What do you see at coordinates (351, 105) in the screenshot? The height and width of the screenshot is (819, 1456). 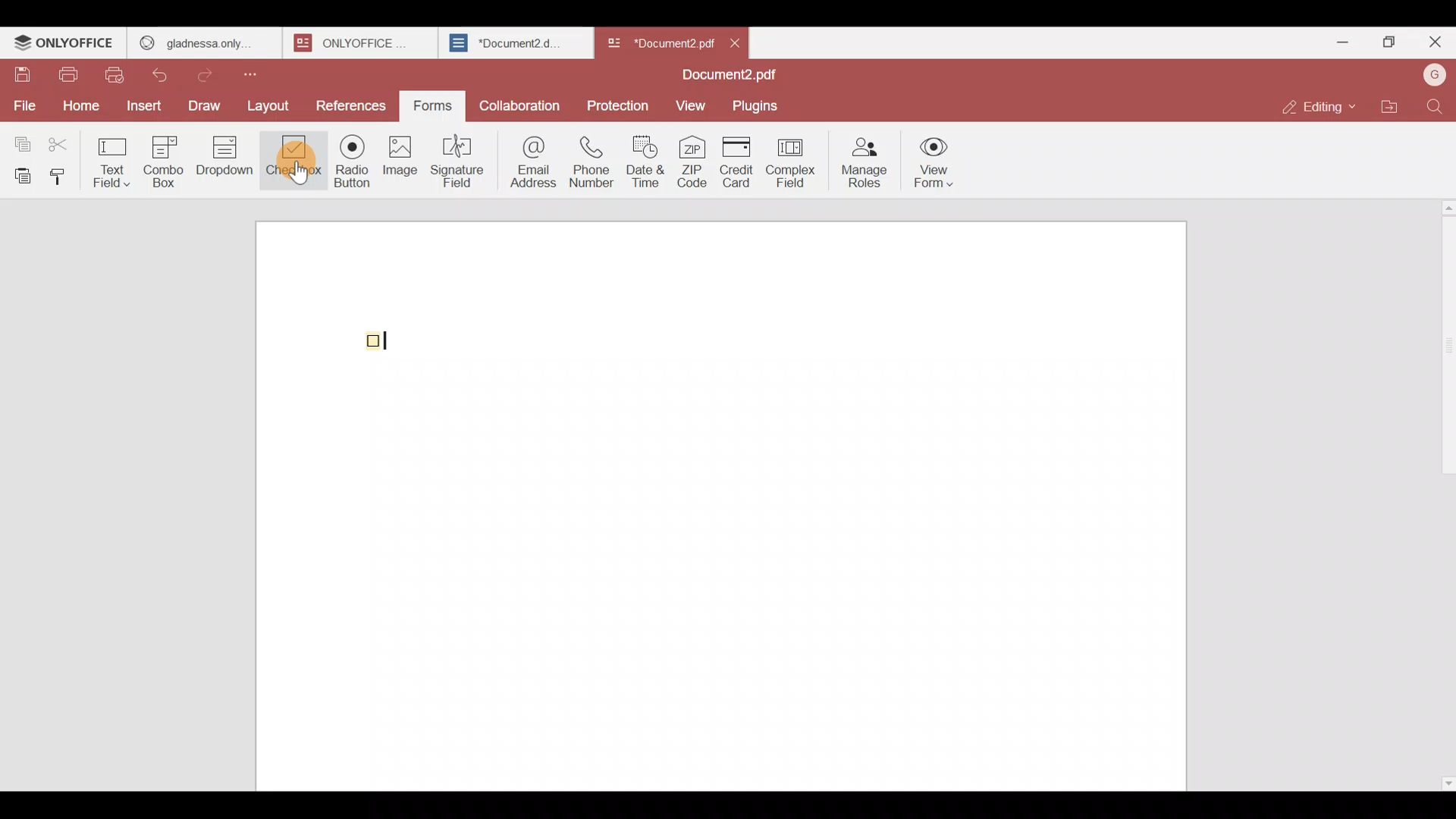 I see `References` at bounding box center [351, 105].